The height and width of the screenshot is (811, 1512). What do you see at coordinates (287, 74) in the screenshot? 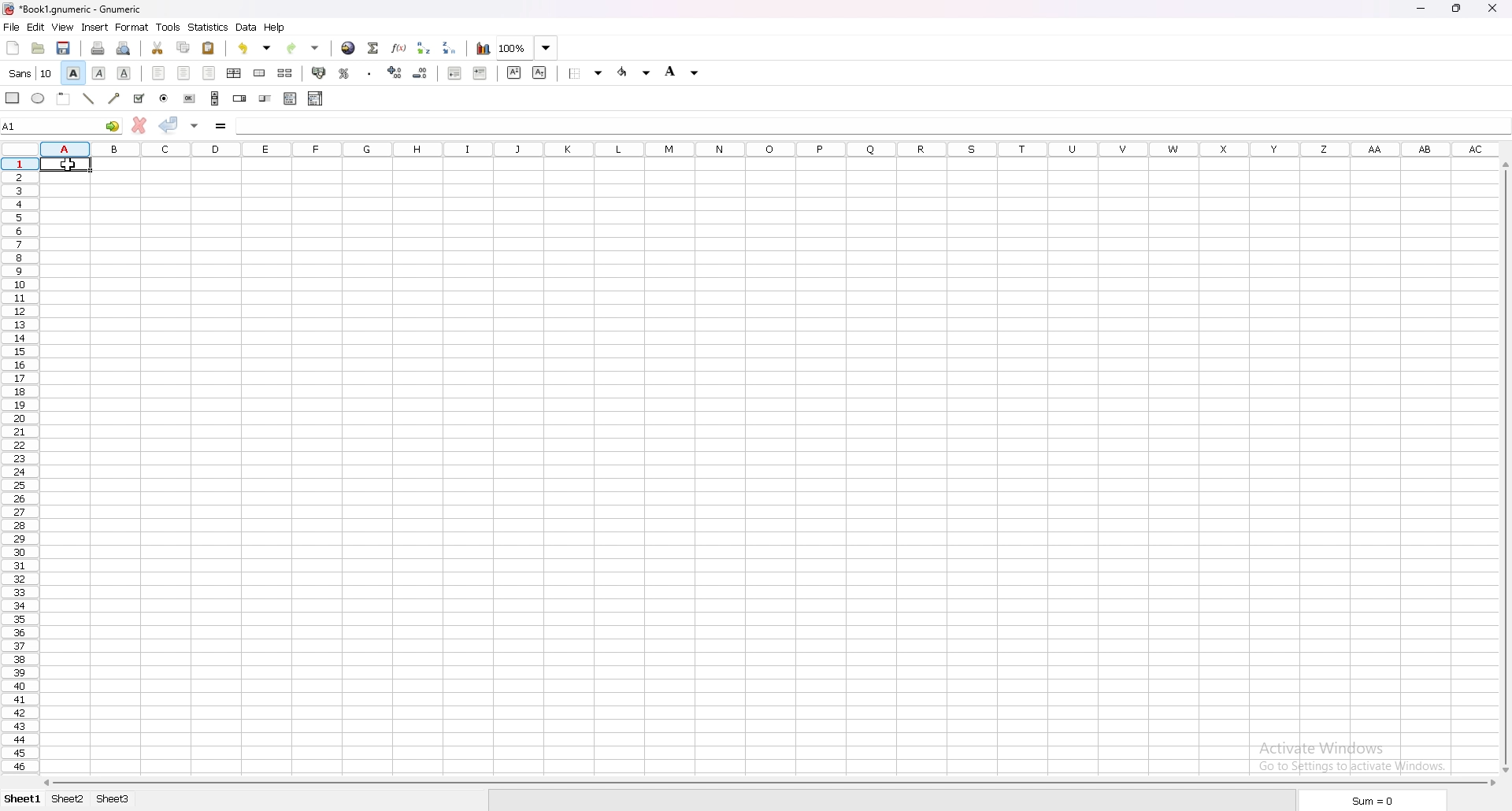
I see `split merged` at bounding box center [287, 74].